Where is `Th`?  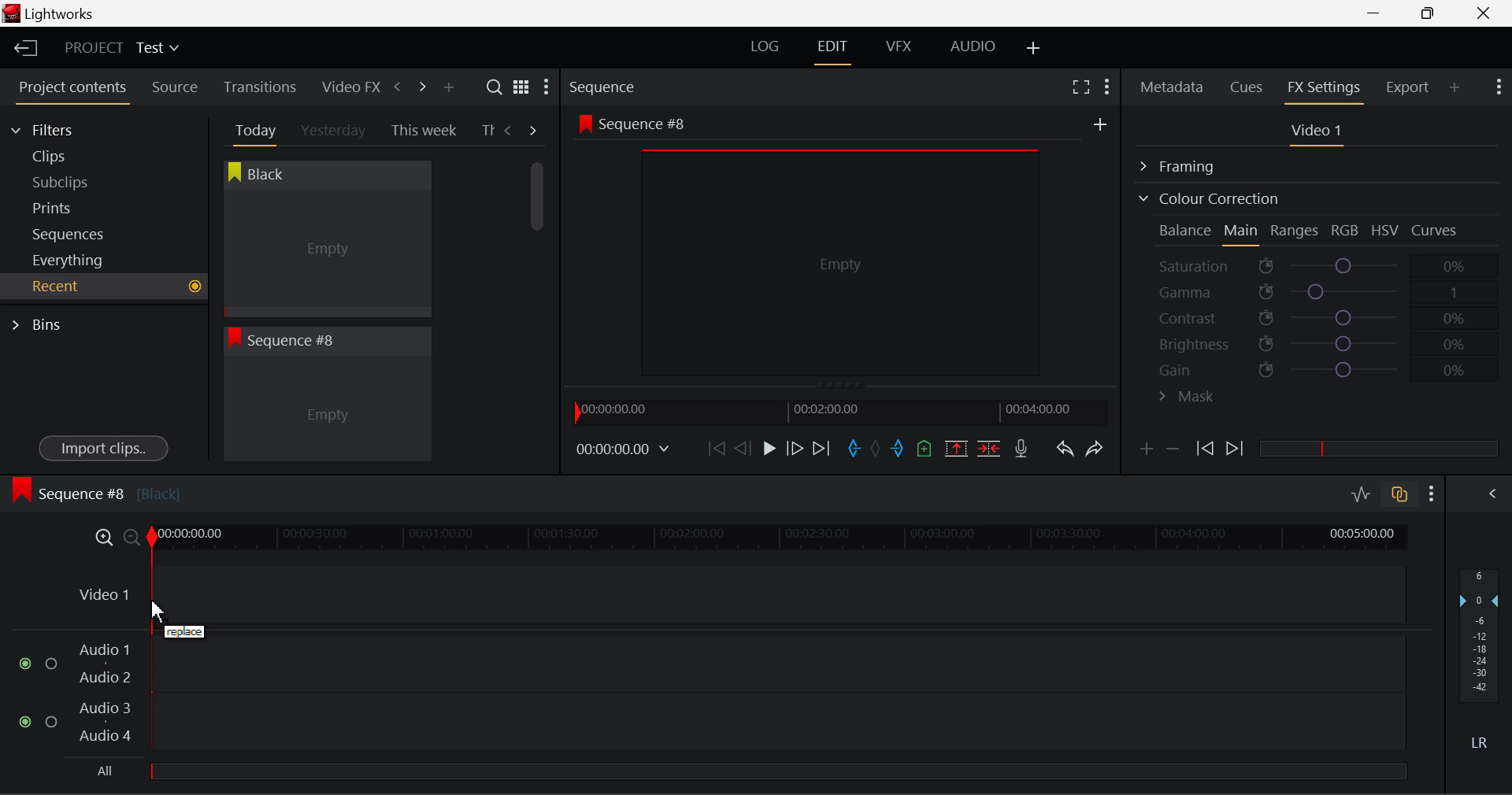
Th is located at coordinates (487, 129).